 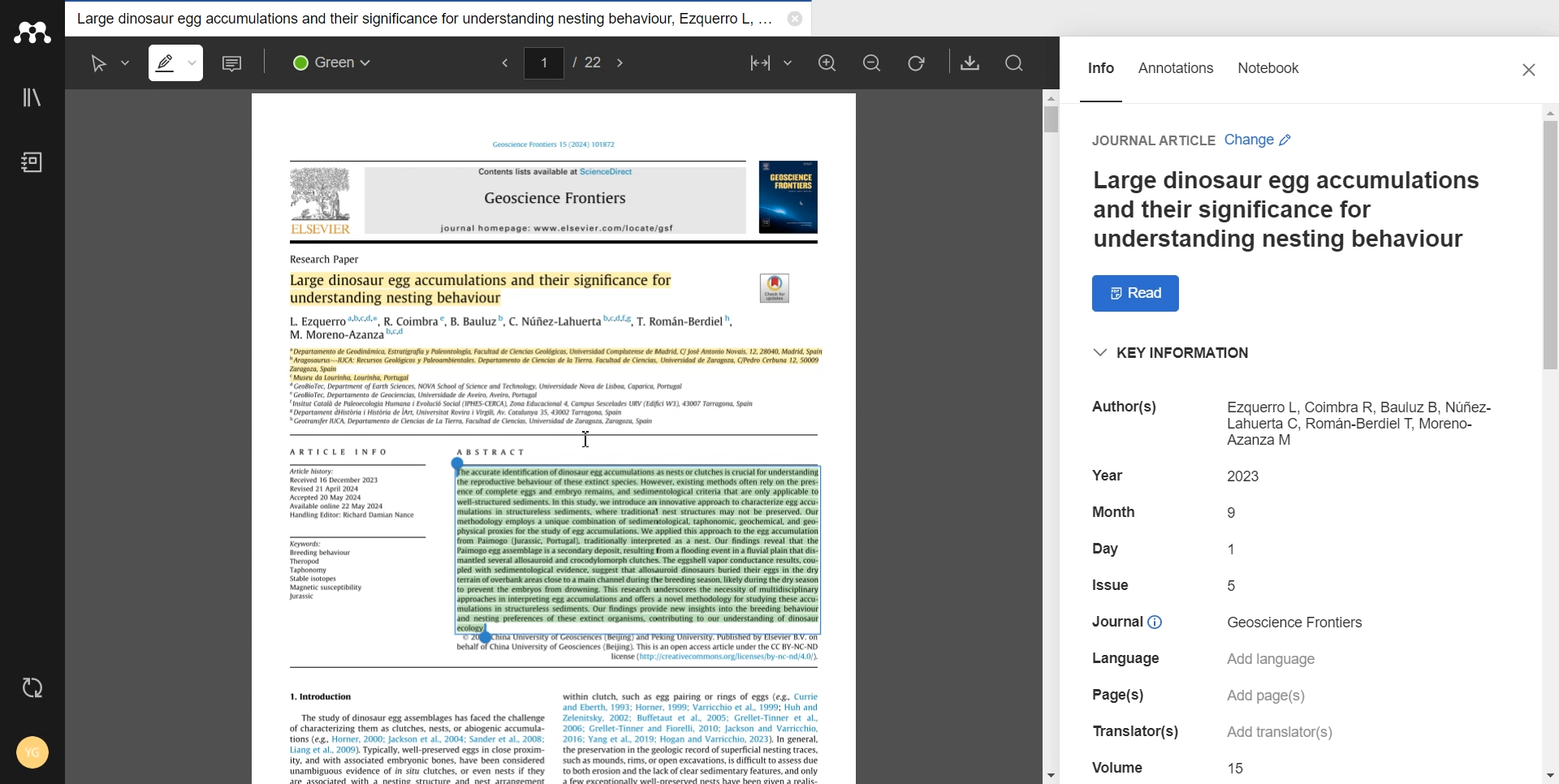 I want to click on text, so click(x=1276, y=734).